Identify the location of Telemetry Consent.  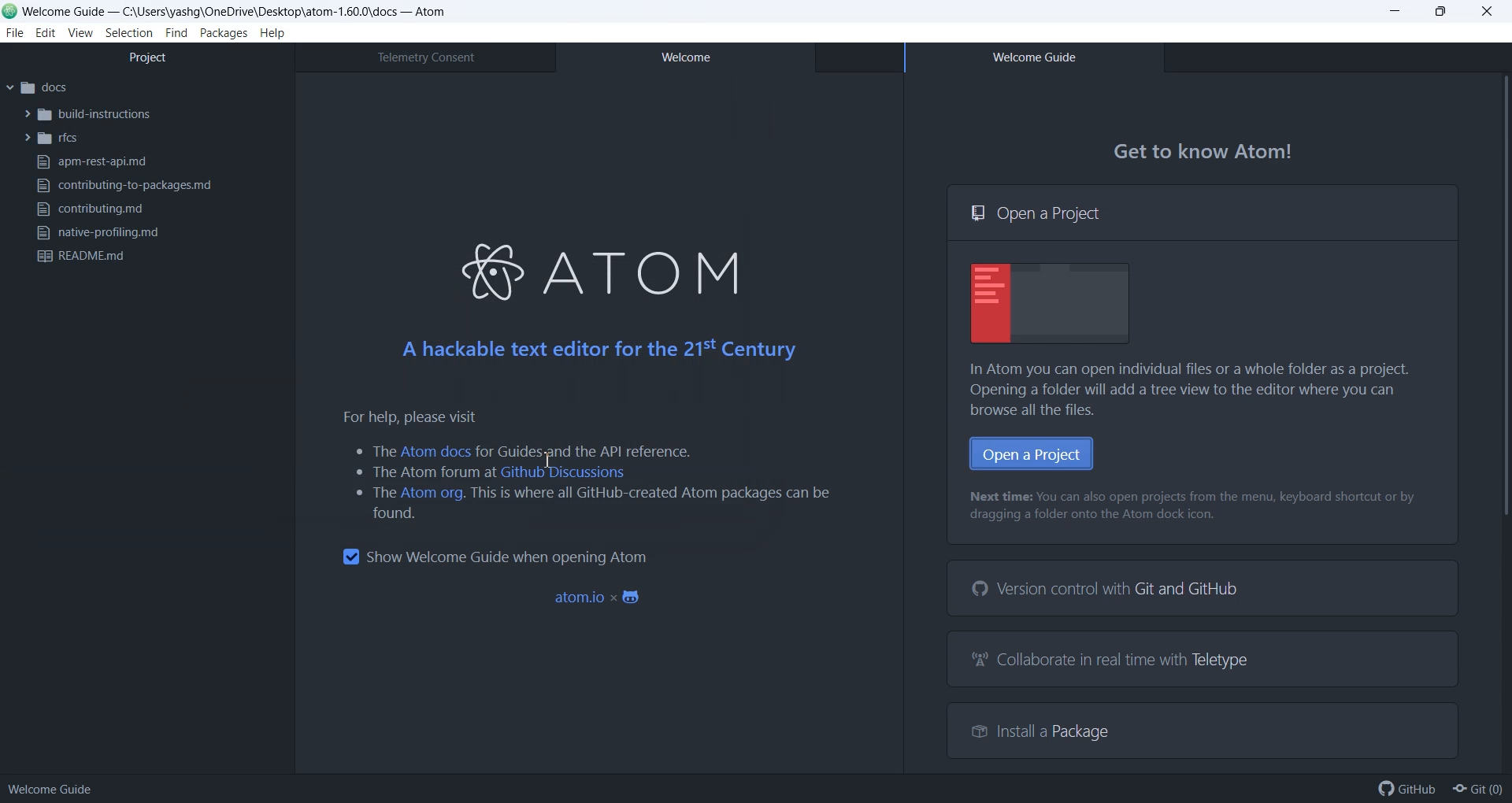
(424, 57).